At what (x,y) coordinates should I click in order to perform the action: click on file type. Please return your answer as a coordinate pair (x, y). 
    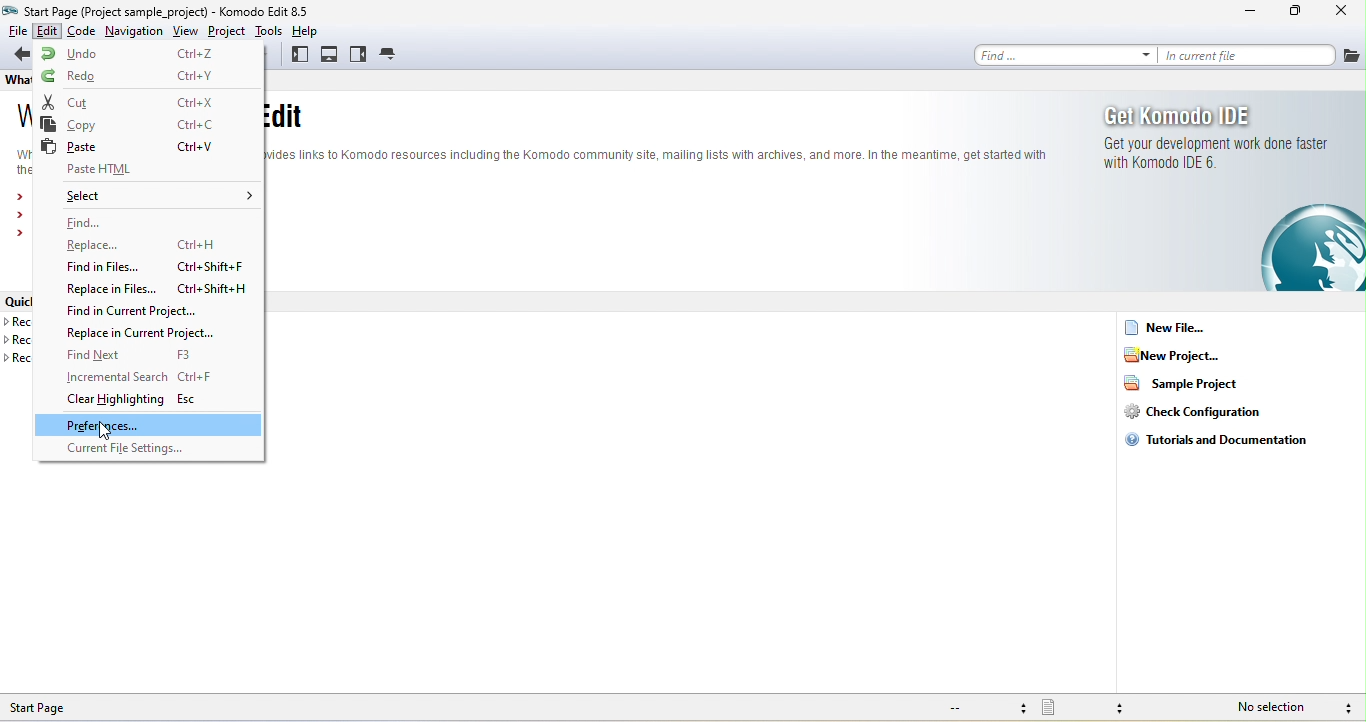
    Looking at the image, I should click on (1092, 707).